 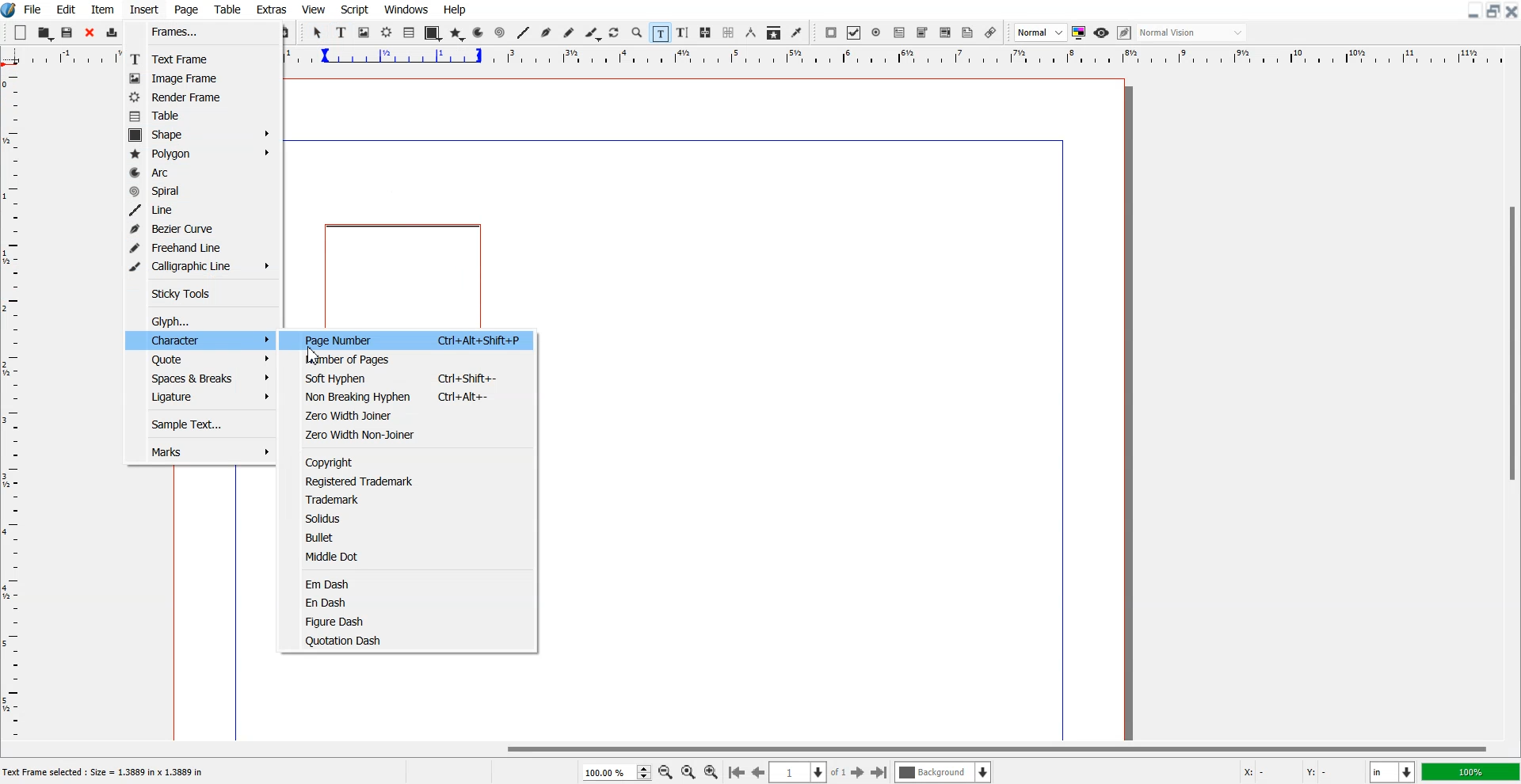 What do you see at coordinates (314, 355) in the screenshot?
I see `Cursor` at bounding box center [314, 355].